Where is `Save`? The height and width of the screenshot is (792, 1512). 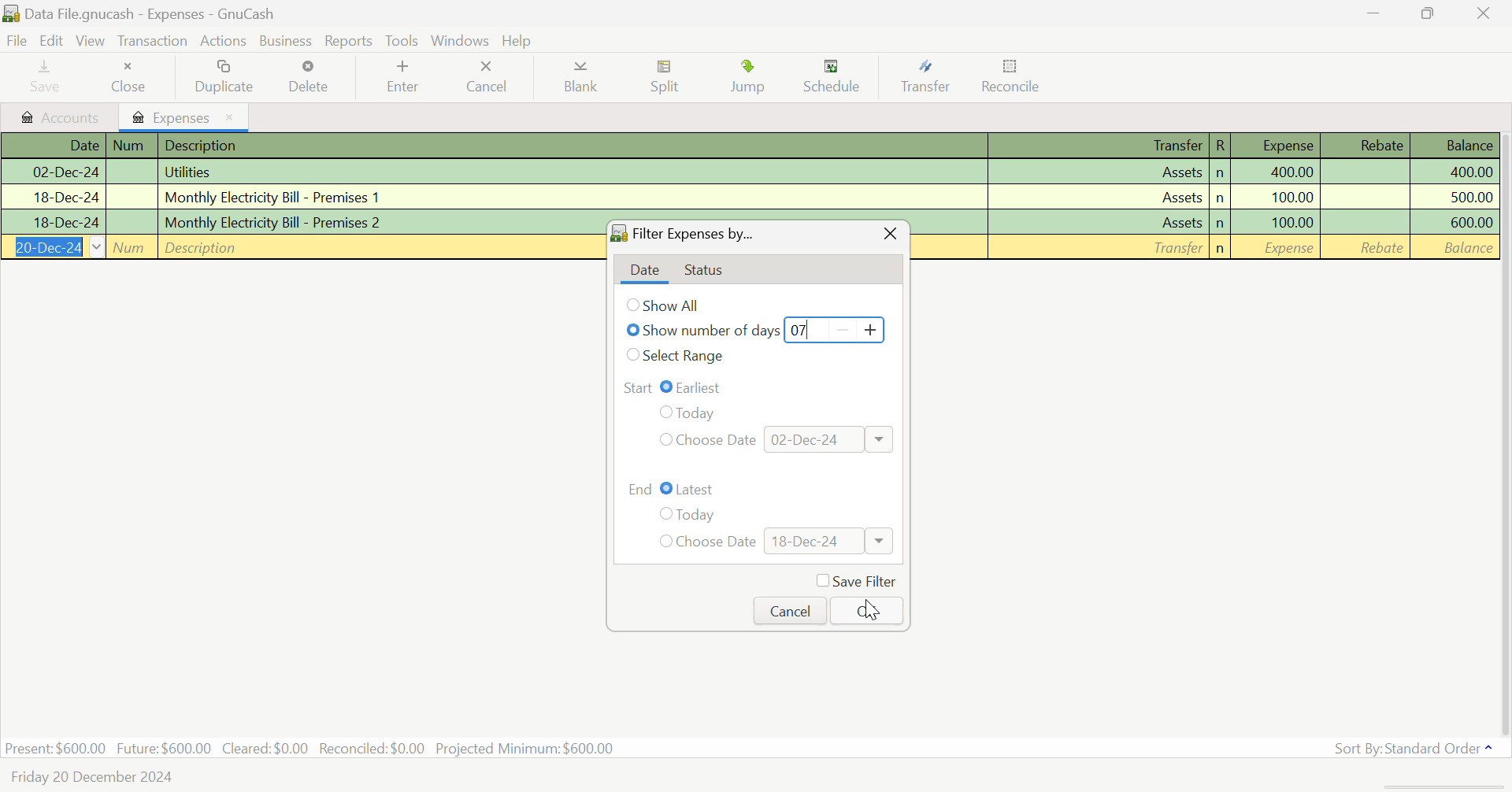 Save is located at coordinates (47, 77).